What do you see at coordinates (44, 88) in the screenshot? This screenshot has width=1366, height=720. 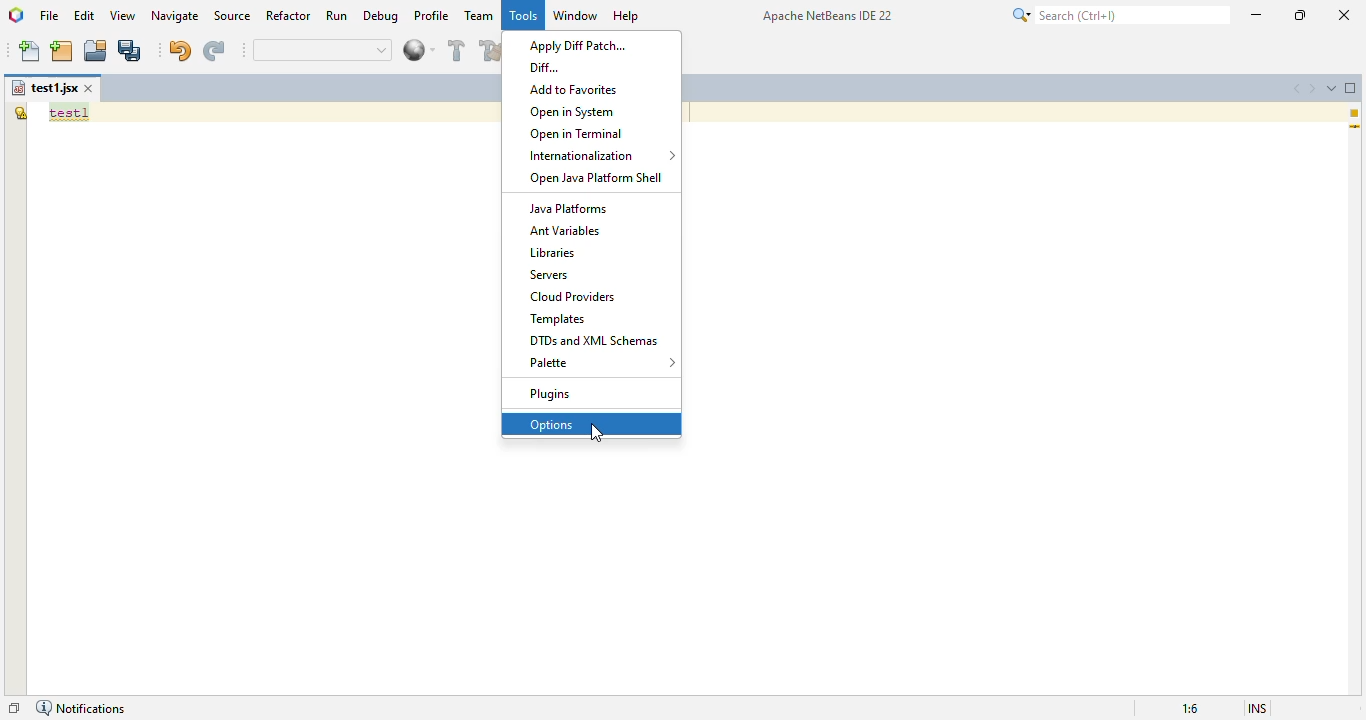 I see `file name` at bounding box center [44, 88].